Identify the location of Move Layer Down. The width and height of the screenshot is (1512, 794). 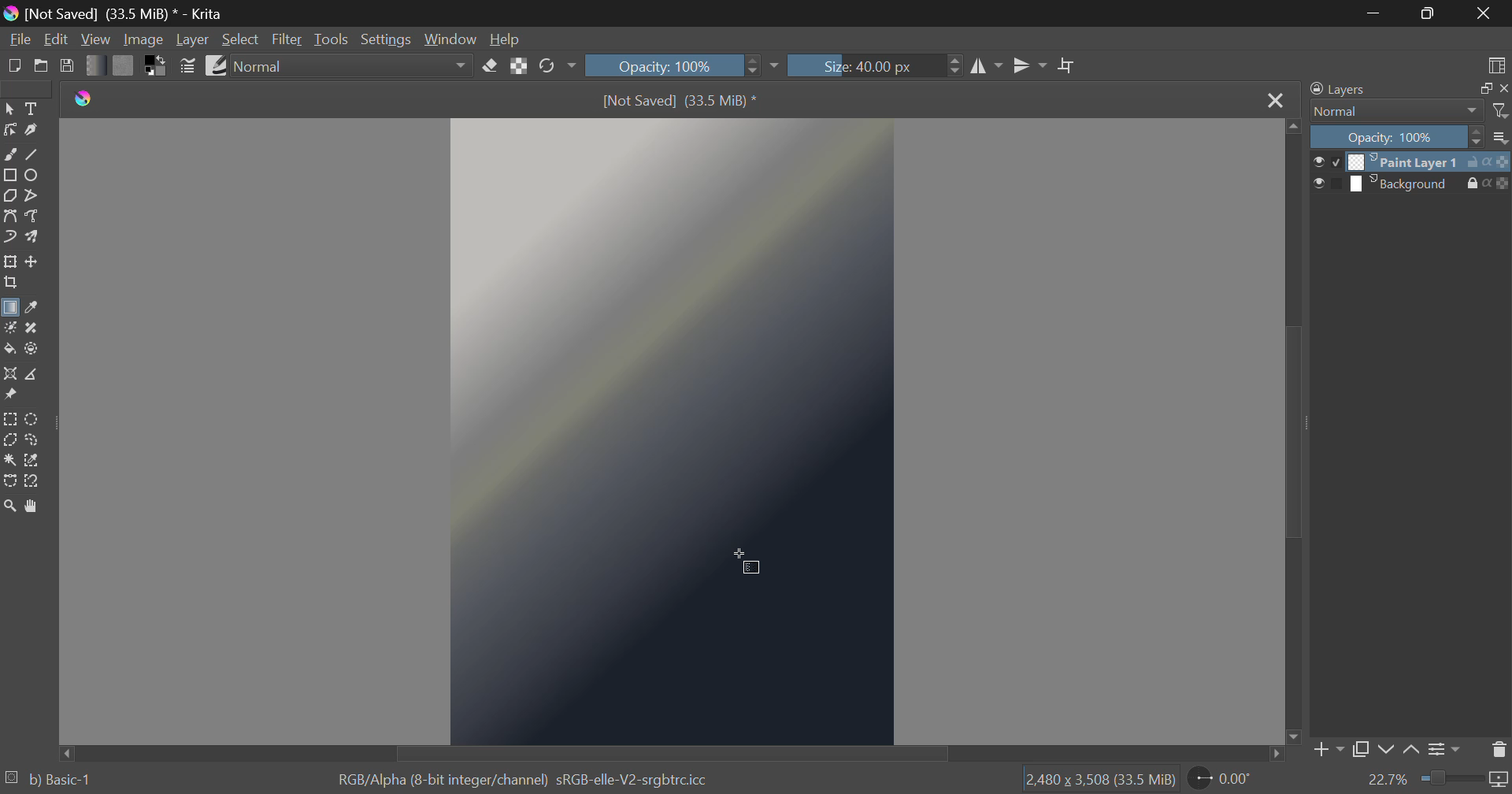
(1386, 751).